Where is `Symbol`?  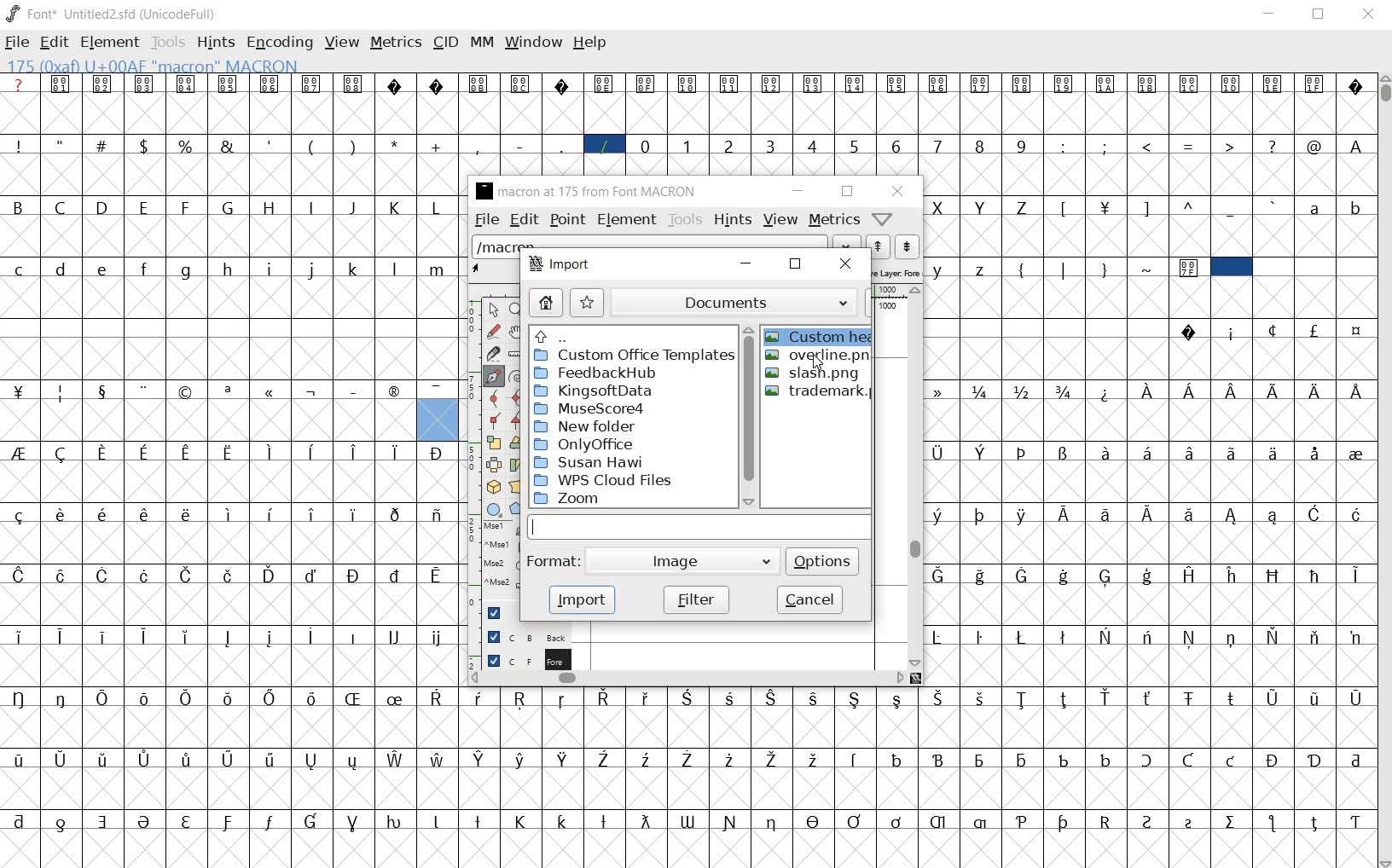 Symbol is located at coordinates (1147, 390).